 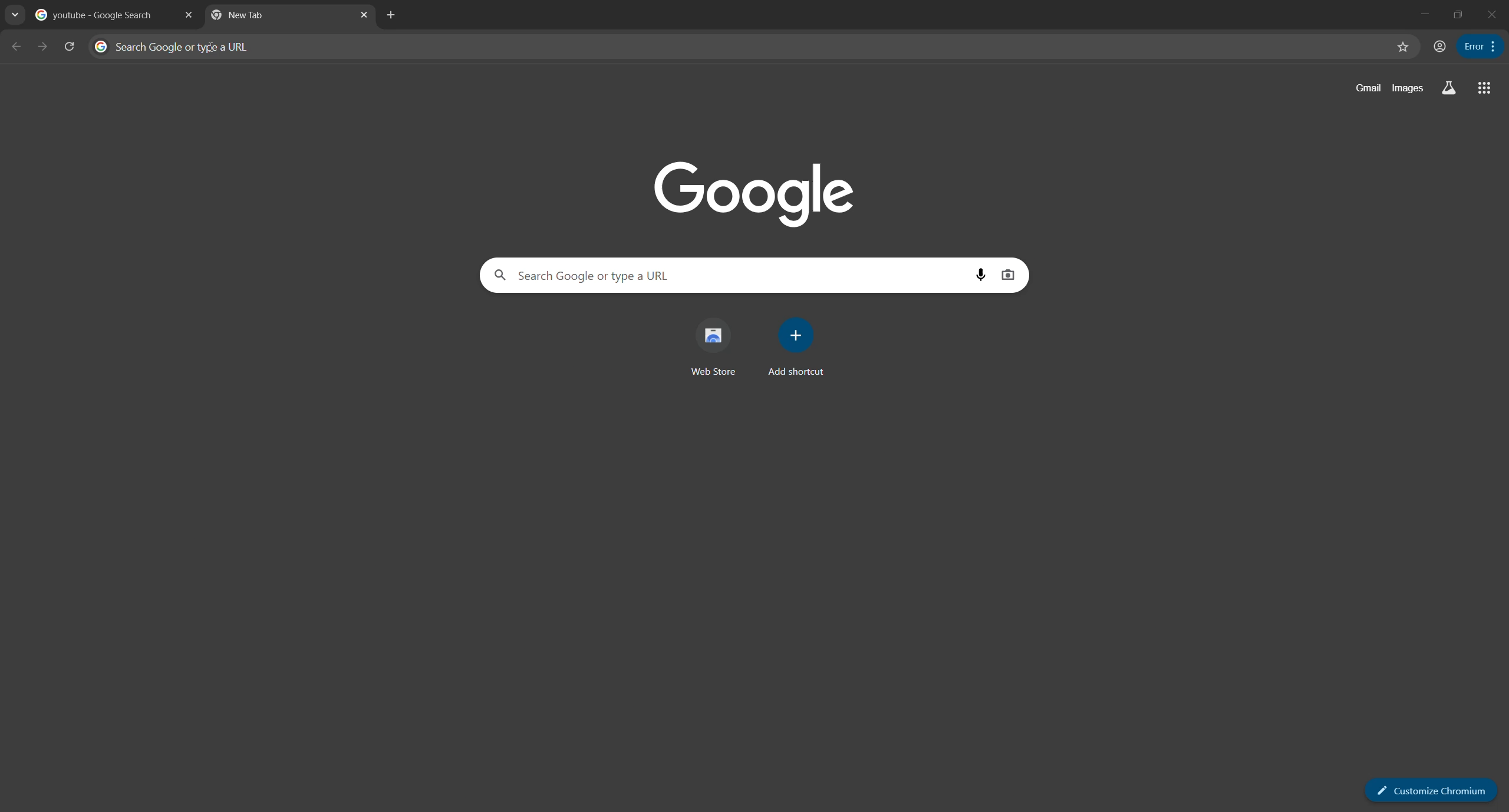 I want to click on search tabs, so click(x=15, y=17).